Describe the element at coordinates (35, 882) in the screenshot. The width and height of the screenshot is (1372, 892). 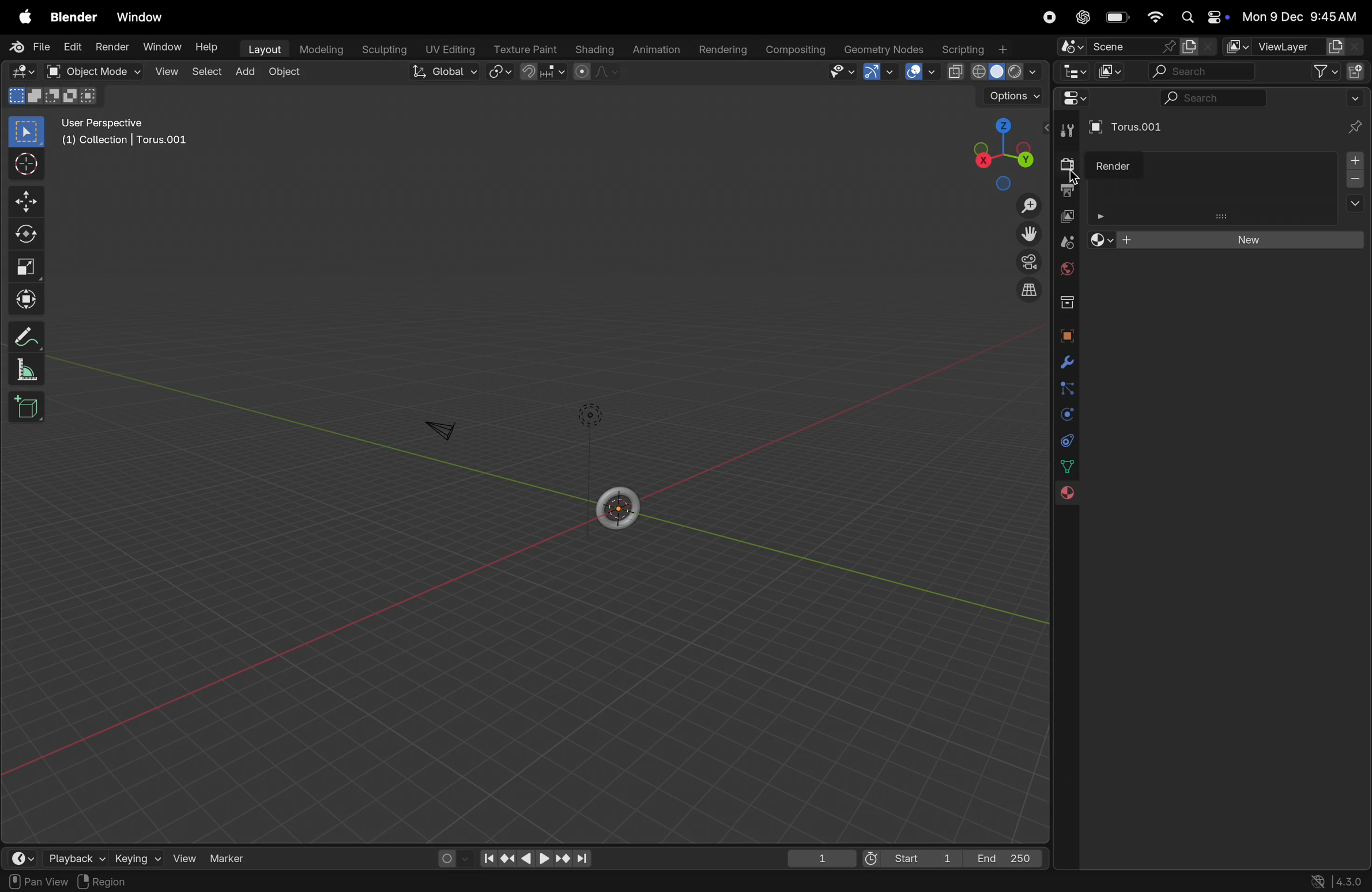
I see `pan view` at that location.